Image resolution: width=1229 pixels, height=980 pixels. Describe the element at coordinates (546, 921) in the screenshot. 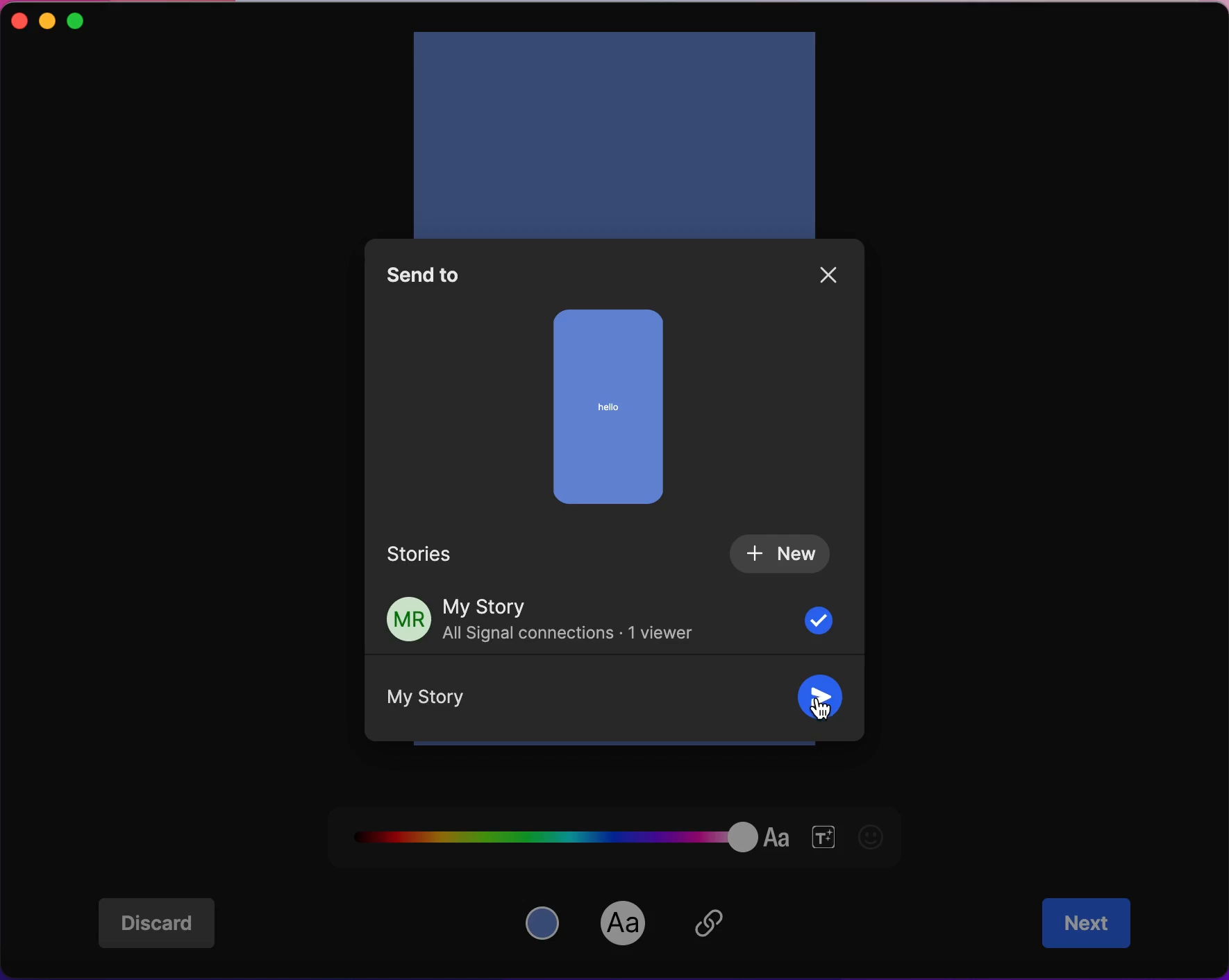

I see `color` at that location.